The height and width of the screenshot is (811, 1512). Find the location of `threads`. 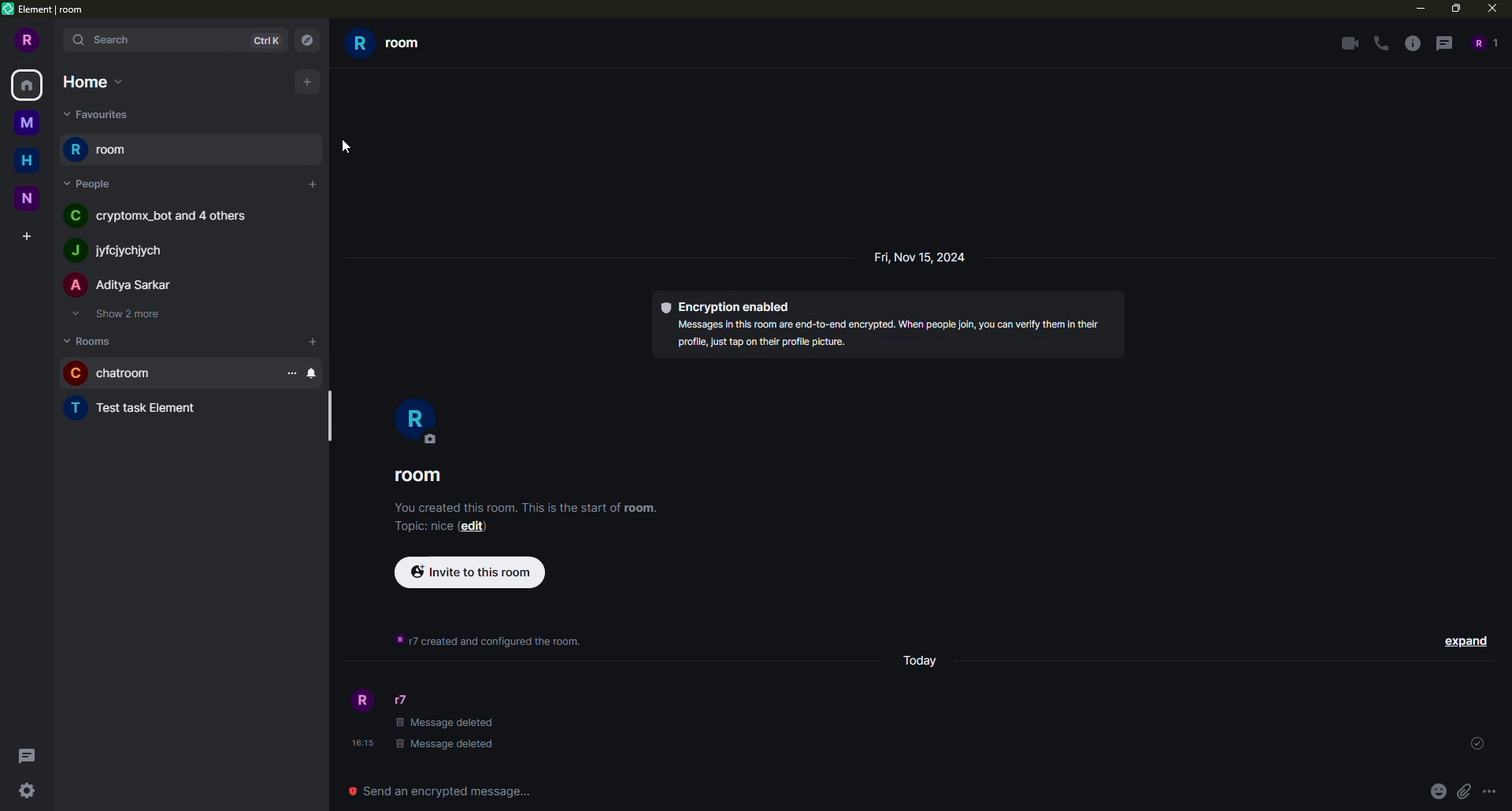

threads is located at coordinates (1443, 44).